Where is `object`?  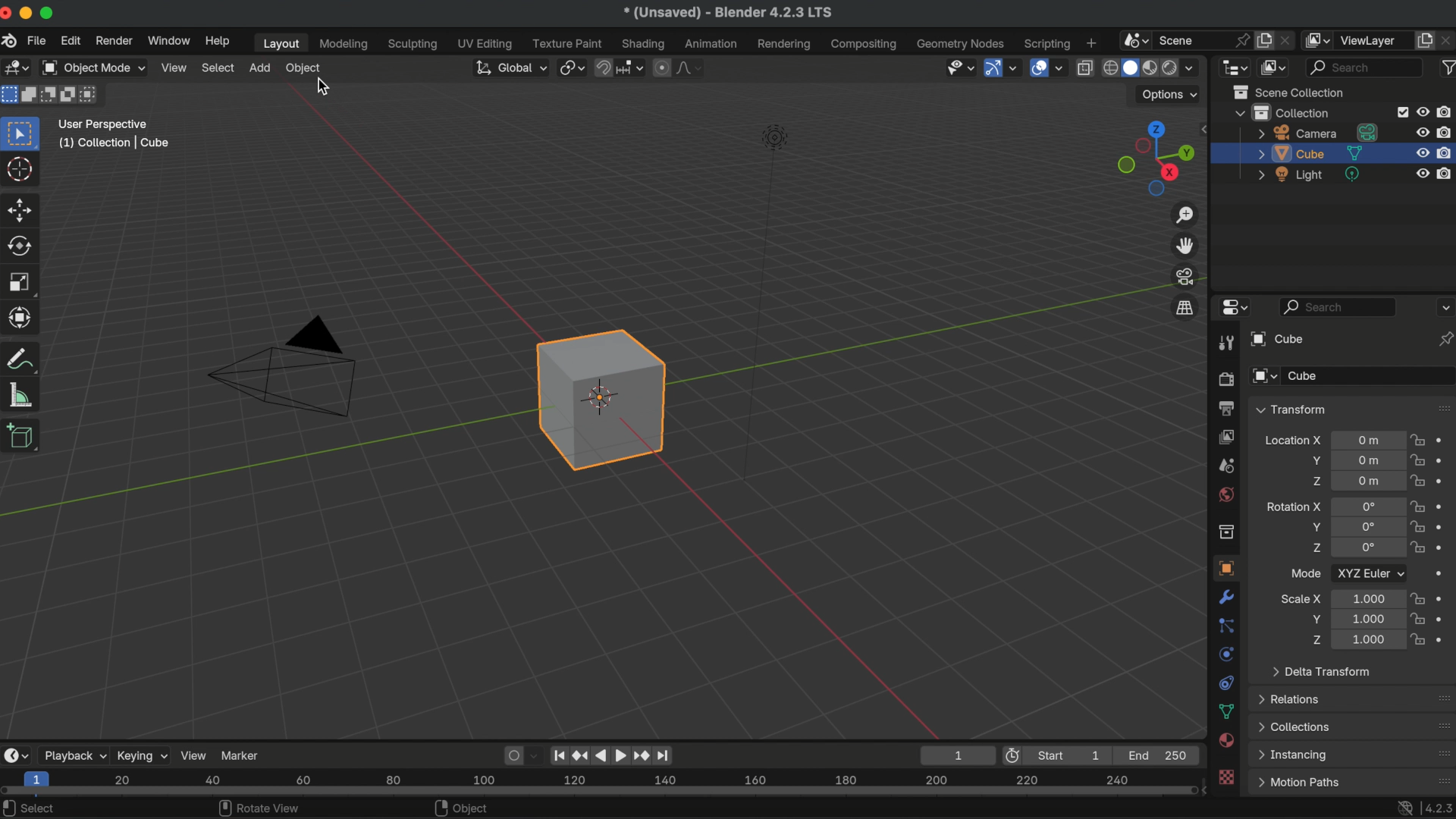 object is located at coordinates (465, 808).